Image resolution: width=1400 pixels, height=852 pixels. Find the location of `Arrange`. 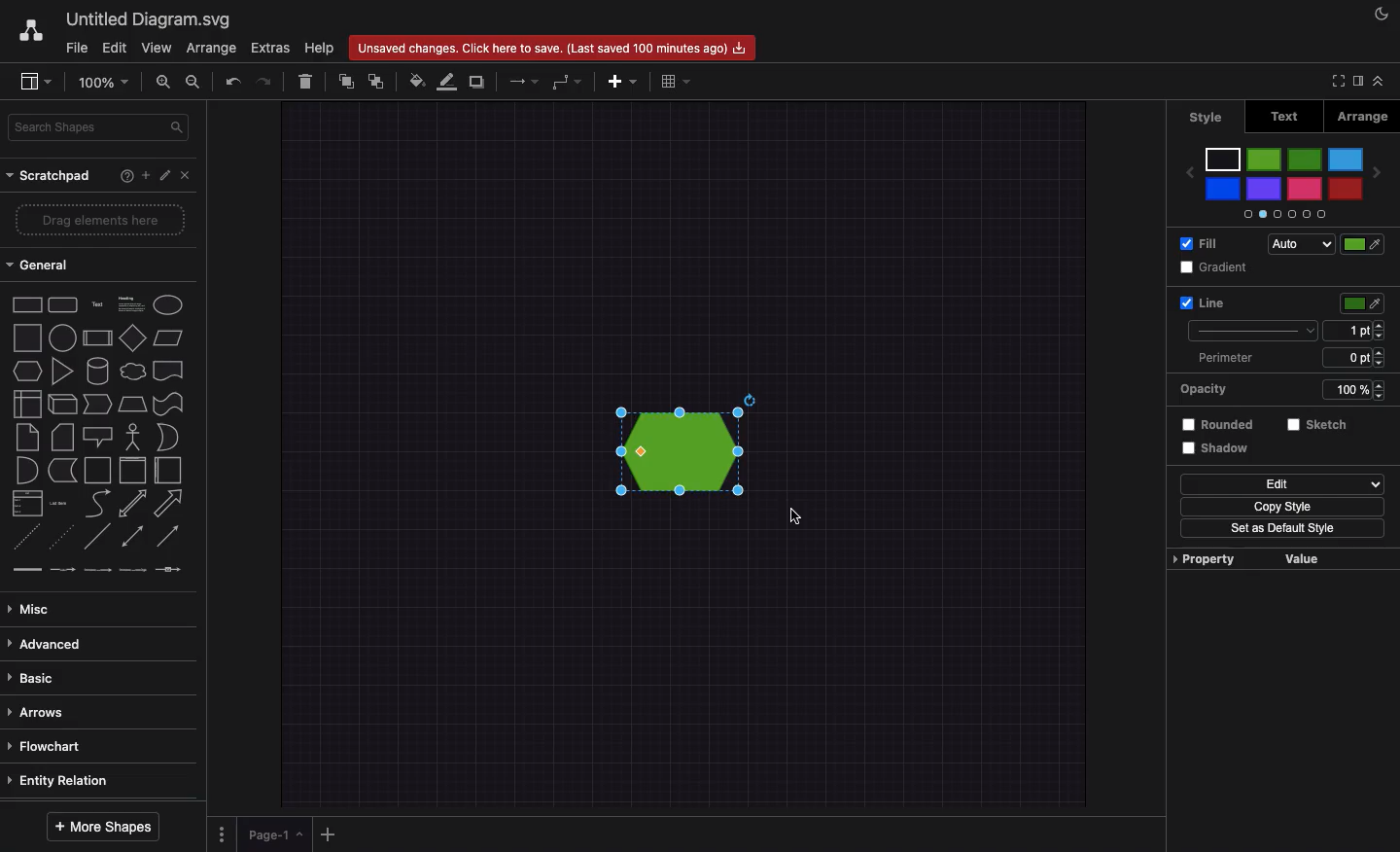

Arrange is located at coordinates (211, 49).